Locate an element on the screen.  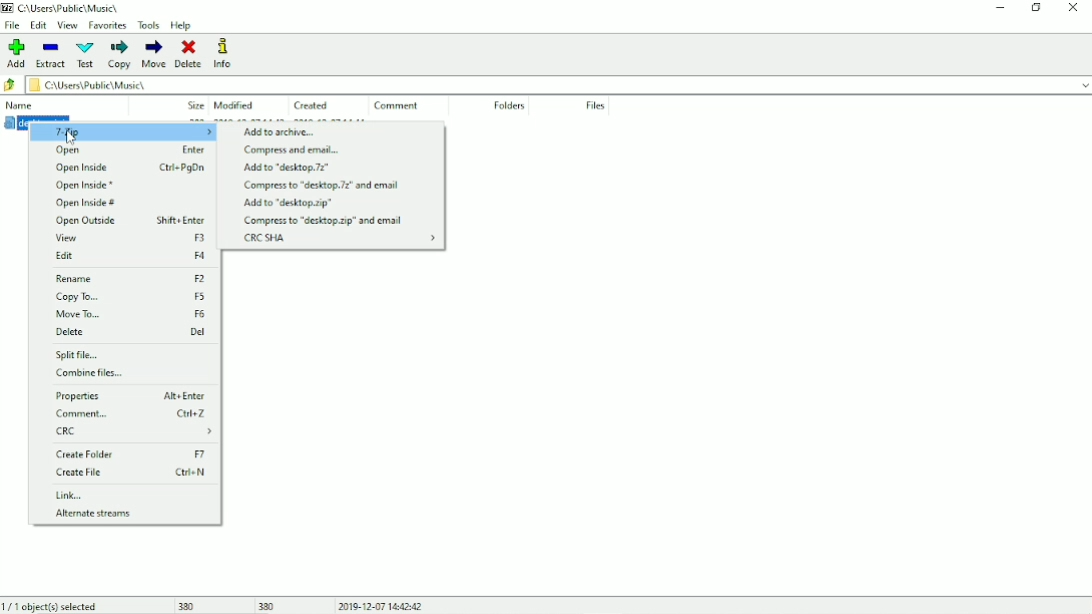
View is located at coordinates (67, 26).